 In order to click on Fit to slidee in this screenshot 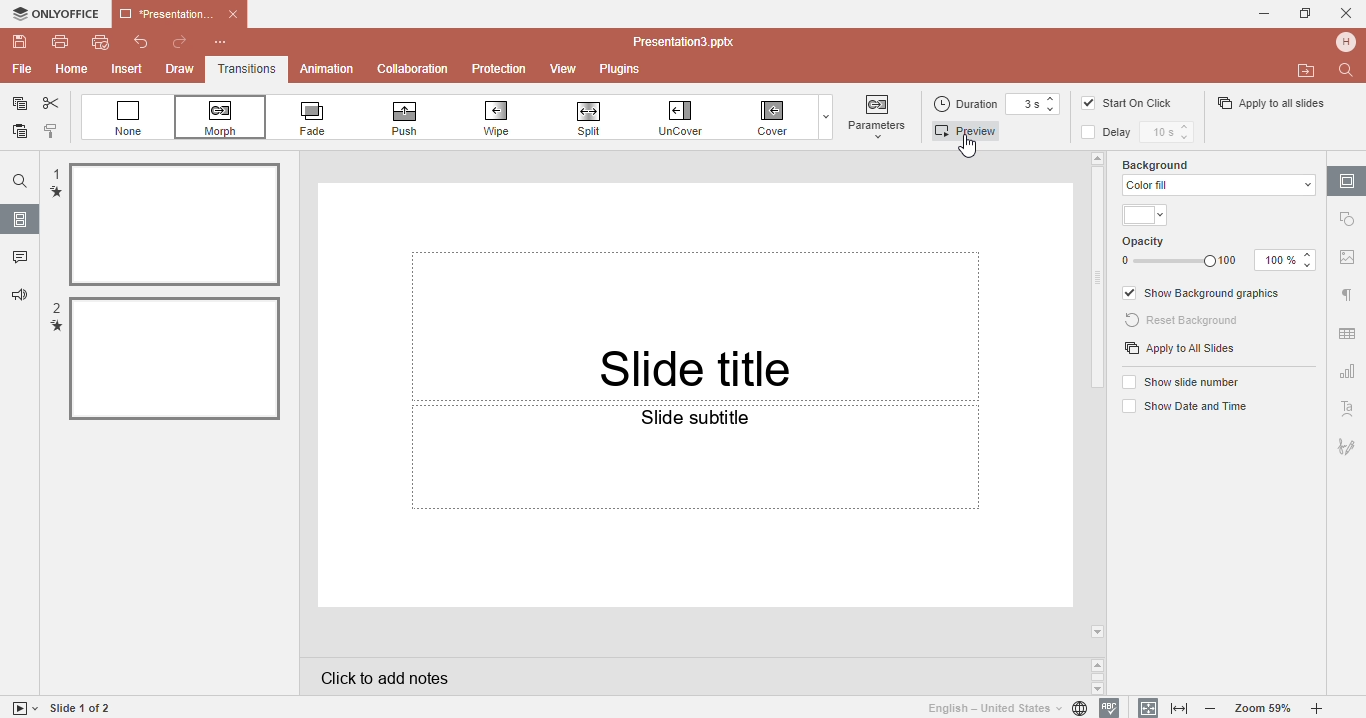, I will do `click(1144, 707)`.